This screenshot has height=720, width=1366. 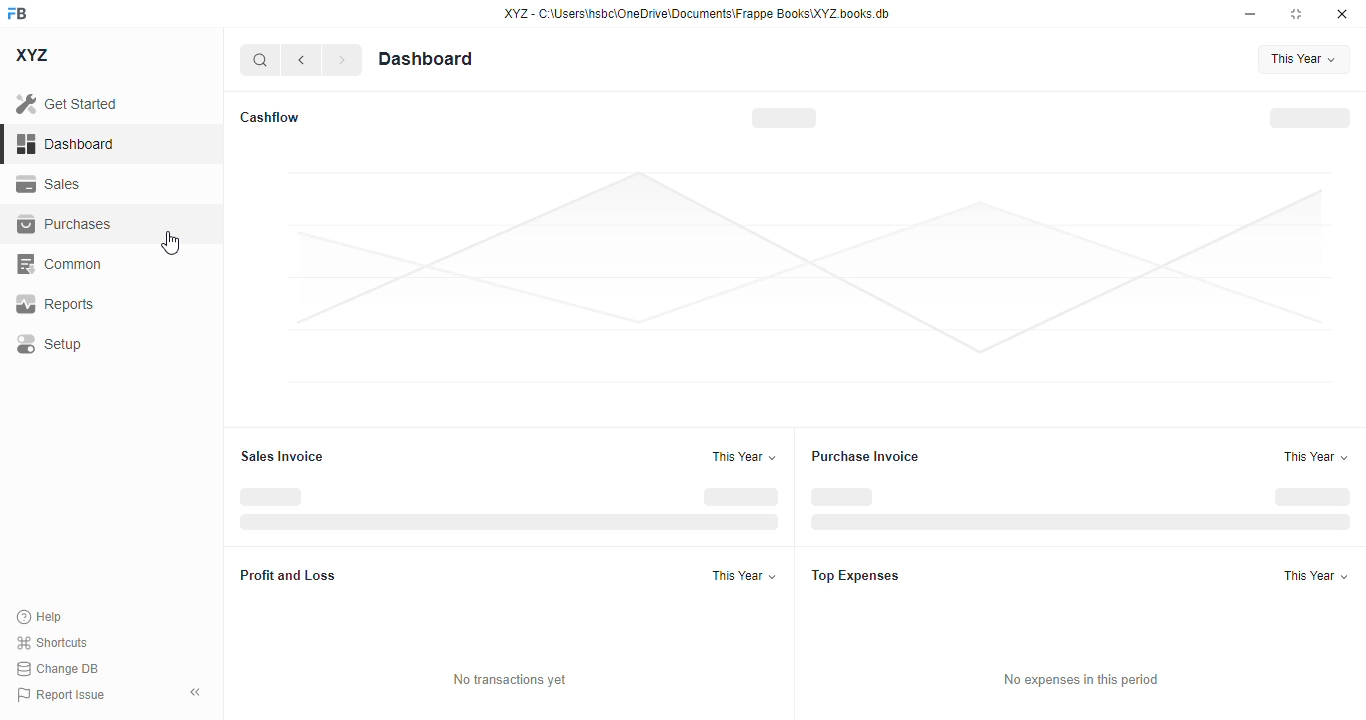 I want to click on FB - logo, so click(x=17, y=13).